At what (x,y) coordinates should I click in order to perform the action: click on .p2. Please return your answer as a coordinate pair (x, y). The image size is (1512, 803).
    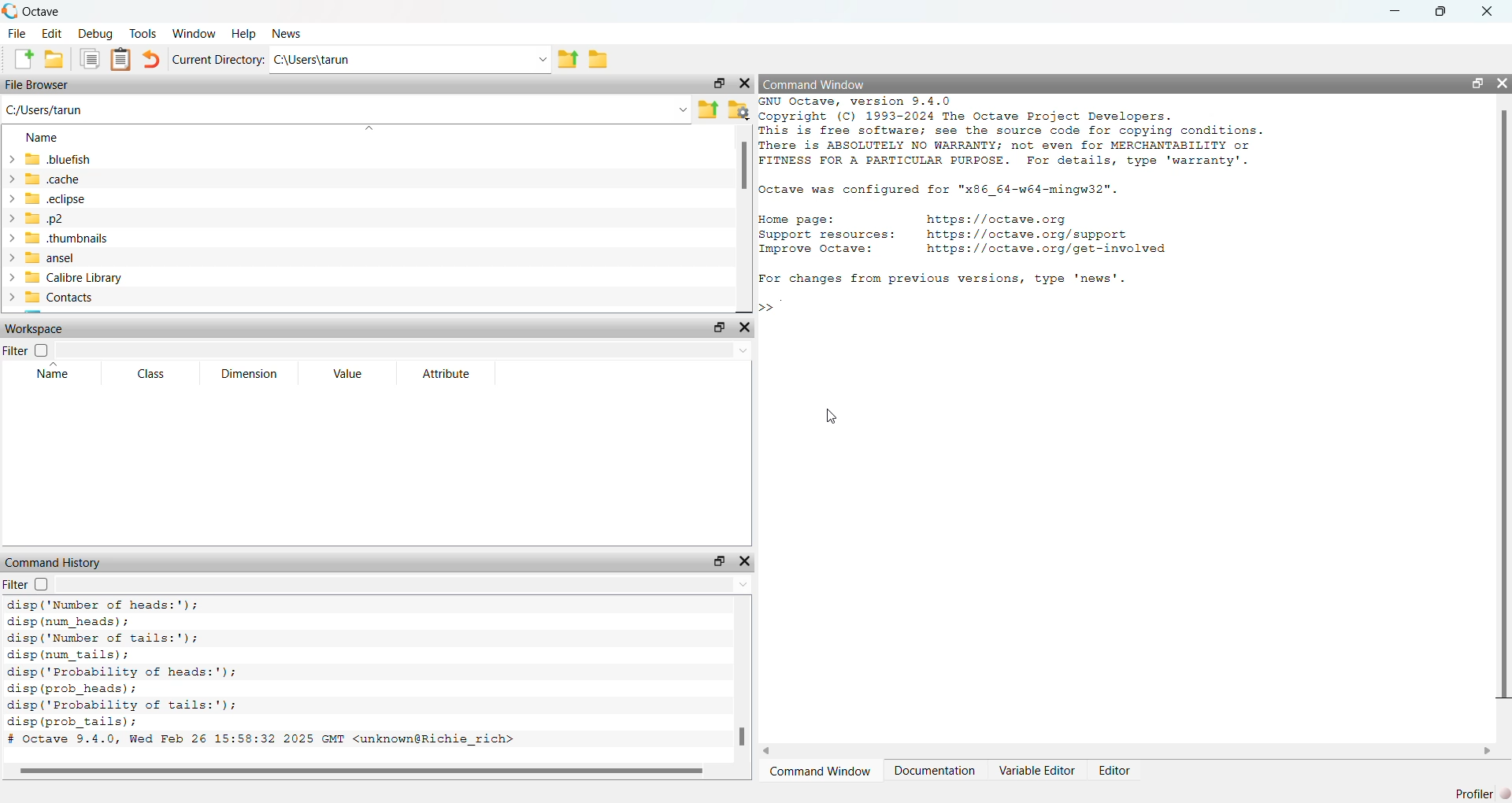
    Looking at the image, I should click on (43, 217).